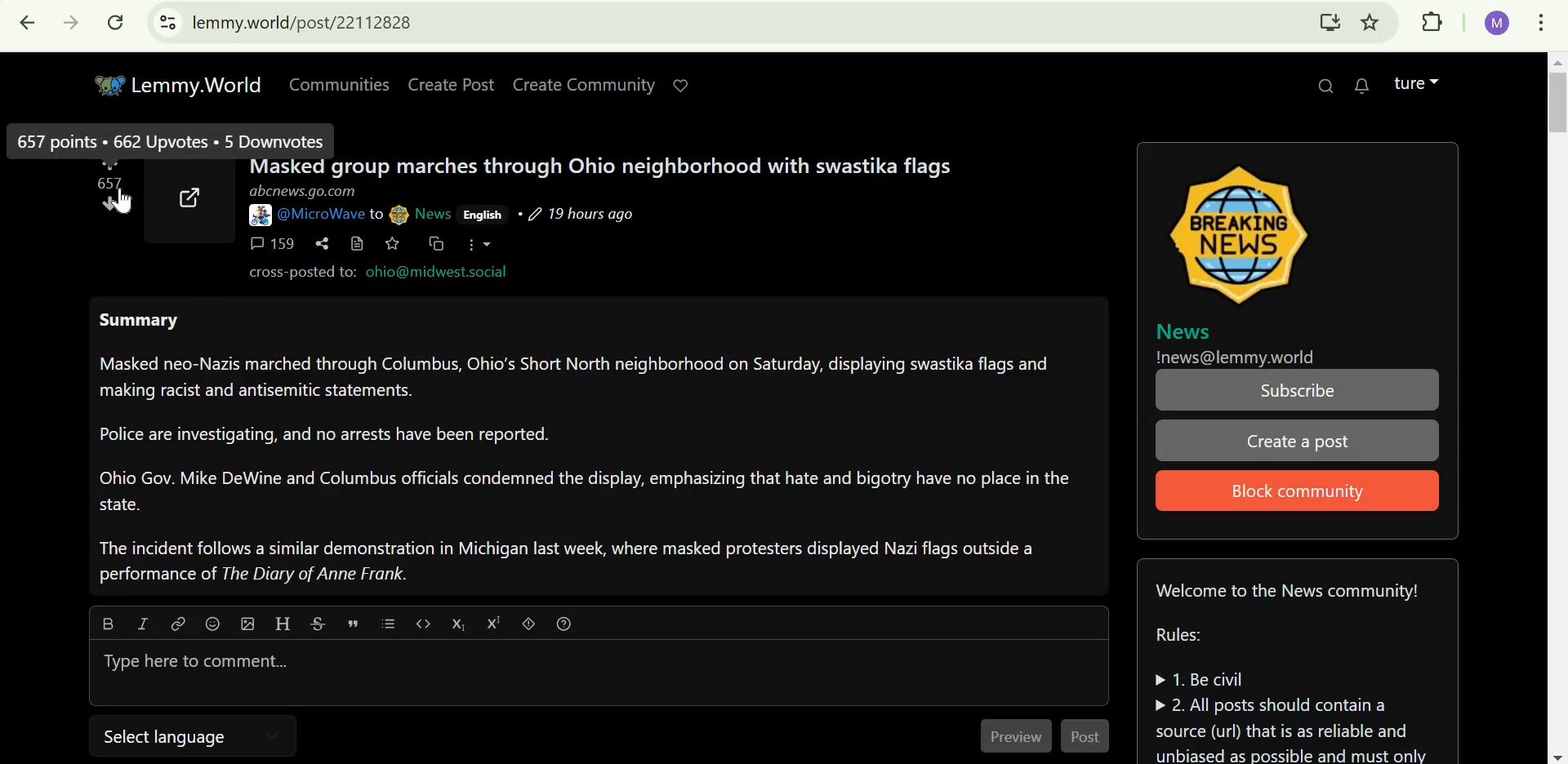  I want to click on Type here to comment..., so click(187, 662).